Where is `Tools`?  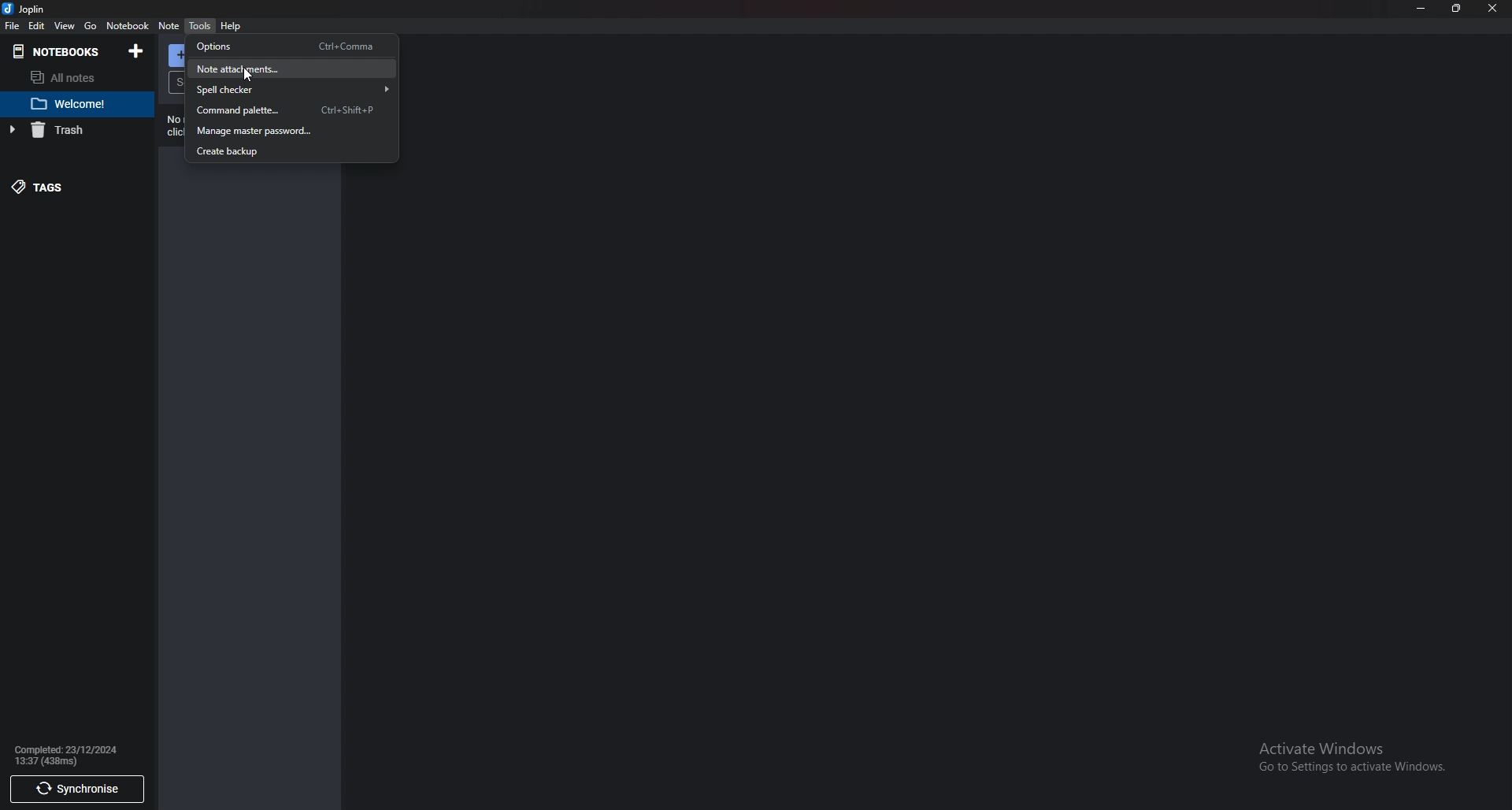
Tools is located at coordinates (199, 25).